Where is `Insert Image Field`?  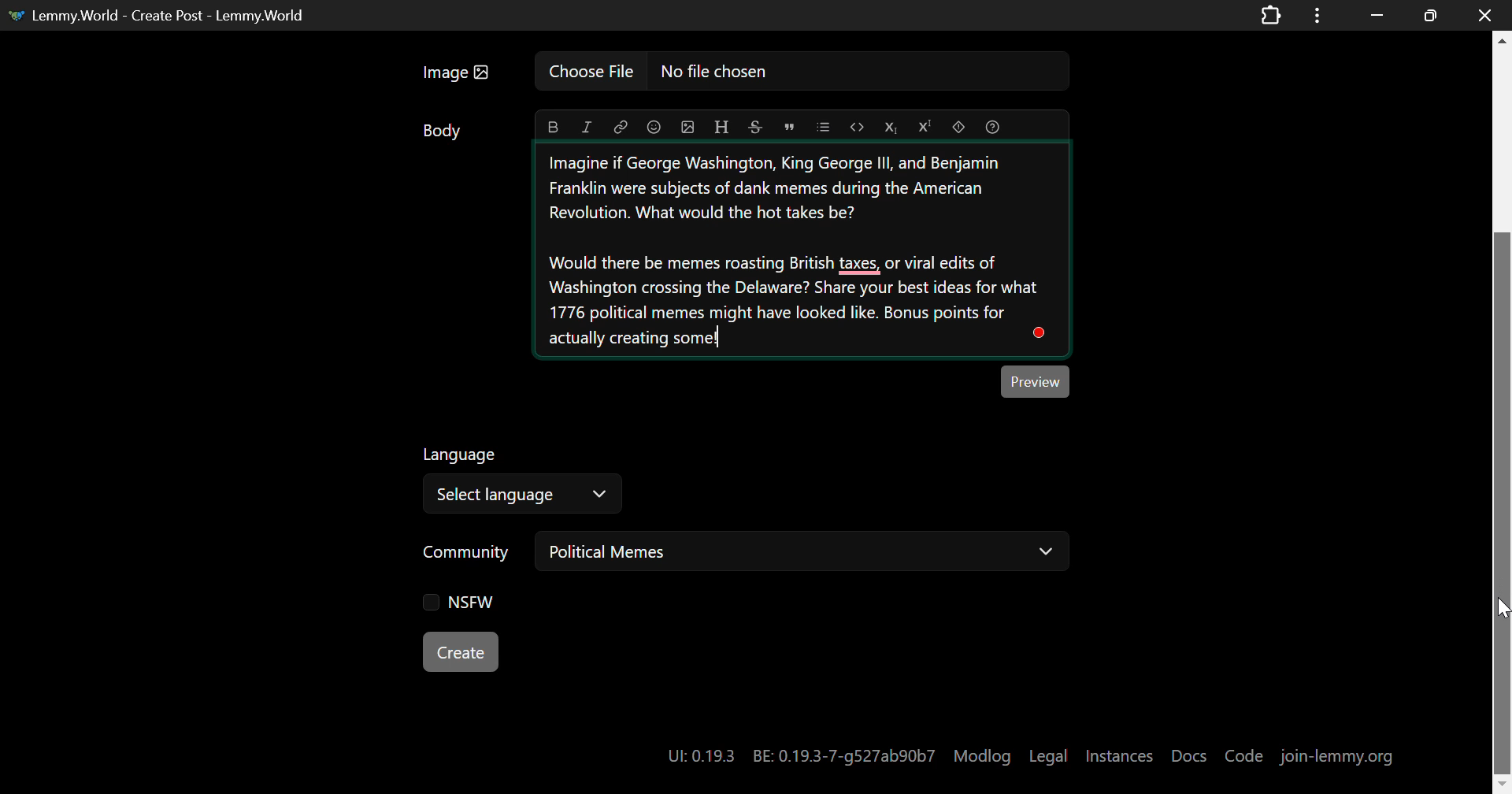 Insert Image Field is located at coordinates (743, 72).